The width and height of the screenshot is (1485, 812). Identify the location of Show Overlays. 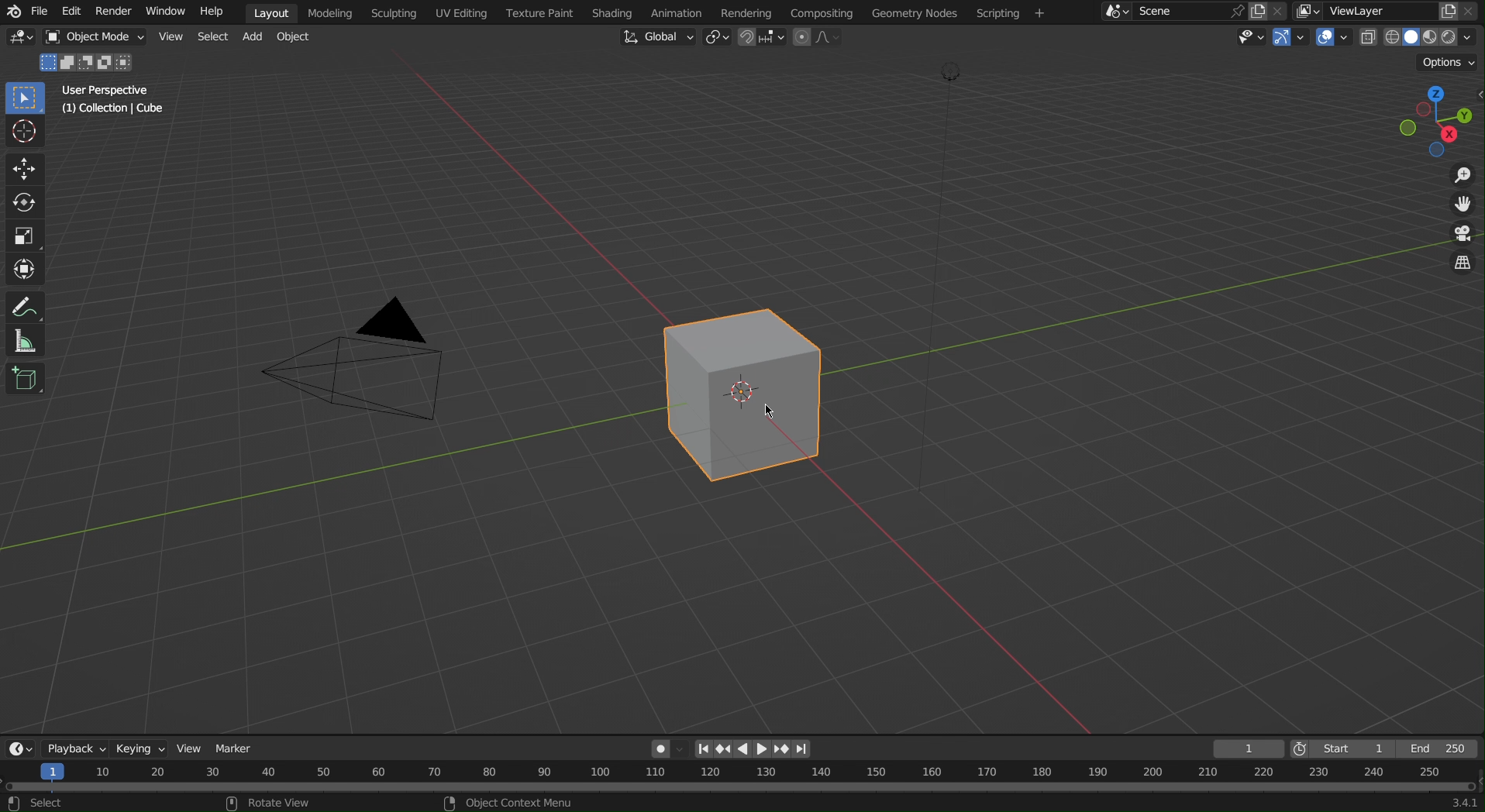
(1331, 40).